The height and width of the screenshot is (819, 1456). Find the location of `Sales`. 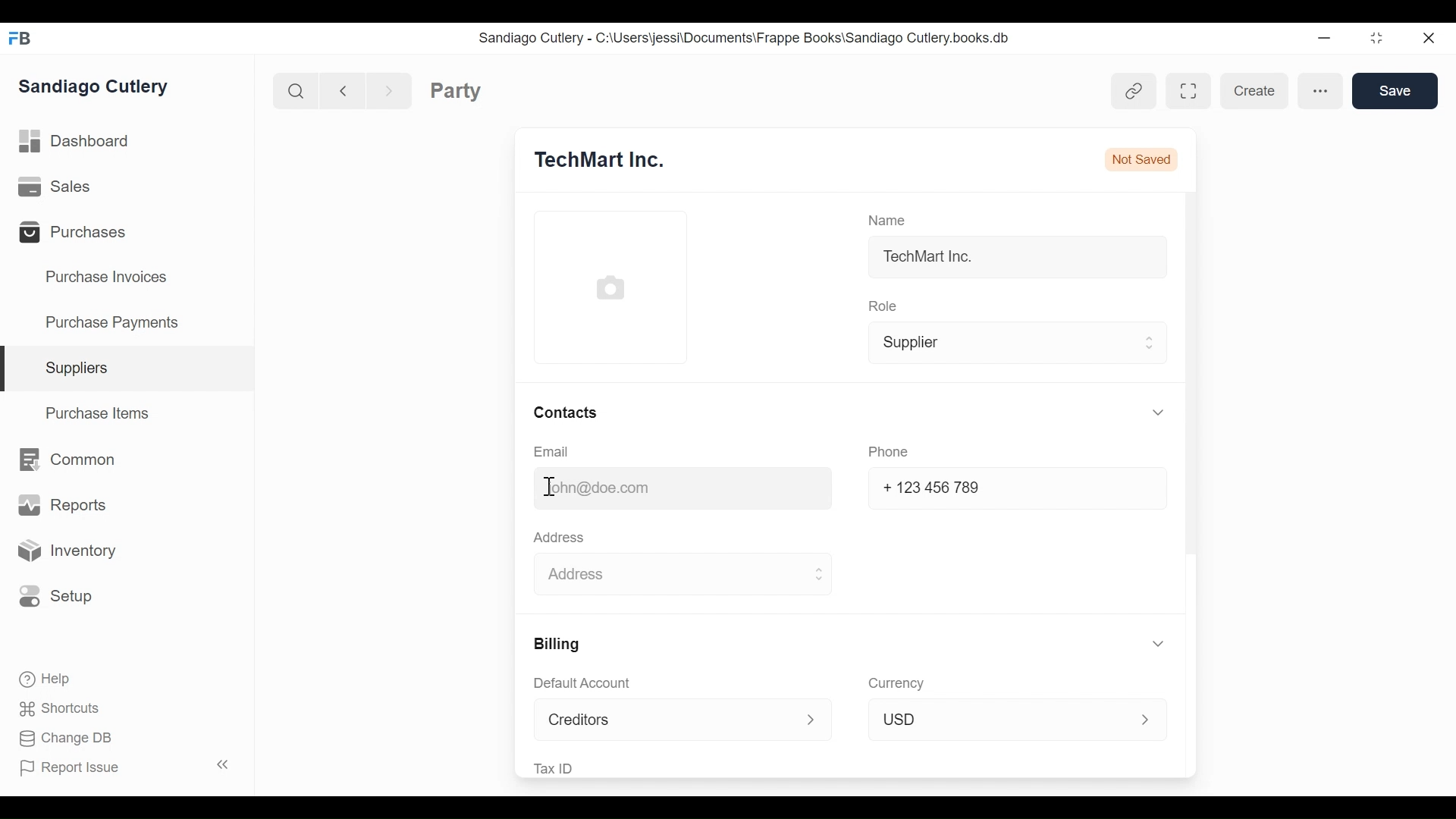

Sales is located at coordinates (55, 186).